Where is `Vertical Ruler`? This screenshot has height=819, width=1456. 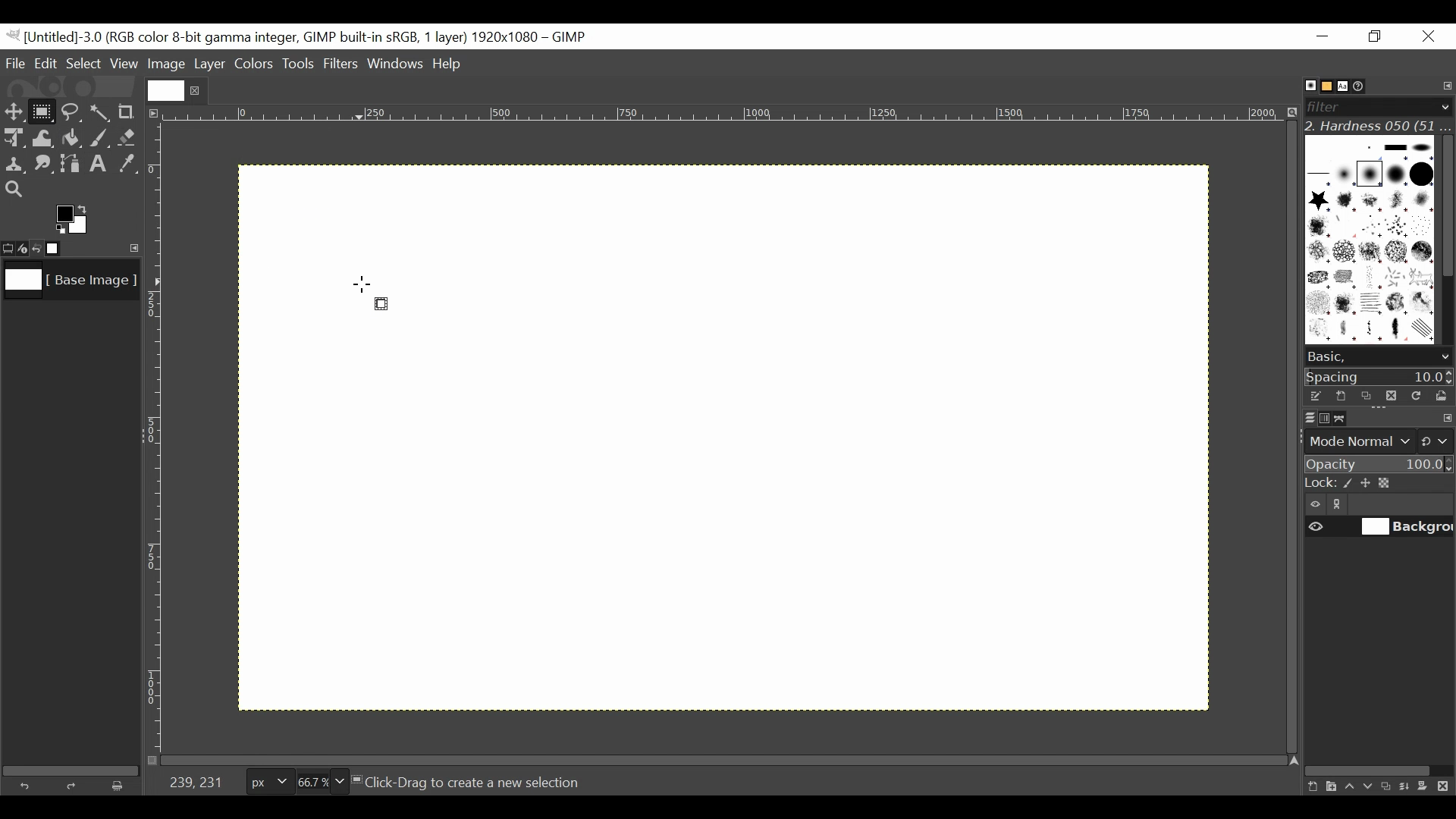 Vertical Ruler is located at coordinates (155, 438).